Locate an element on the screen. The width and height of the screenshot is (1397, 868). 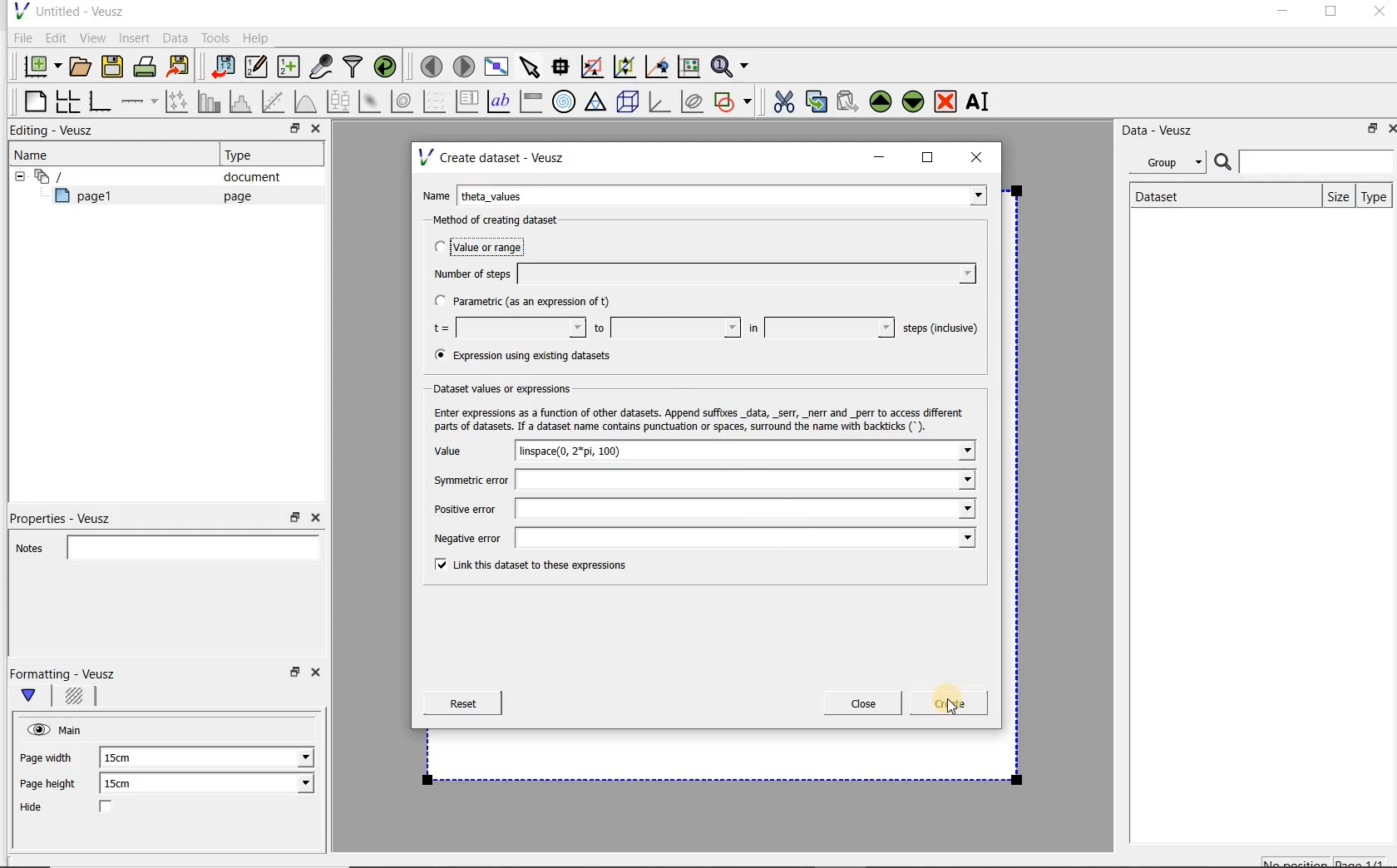
15cm is located at coordinates (128, 784).